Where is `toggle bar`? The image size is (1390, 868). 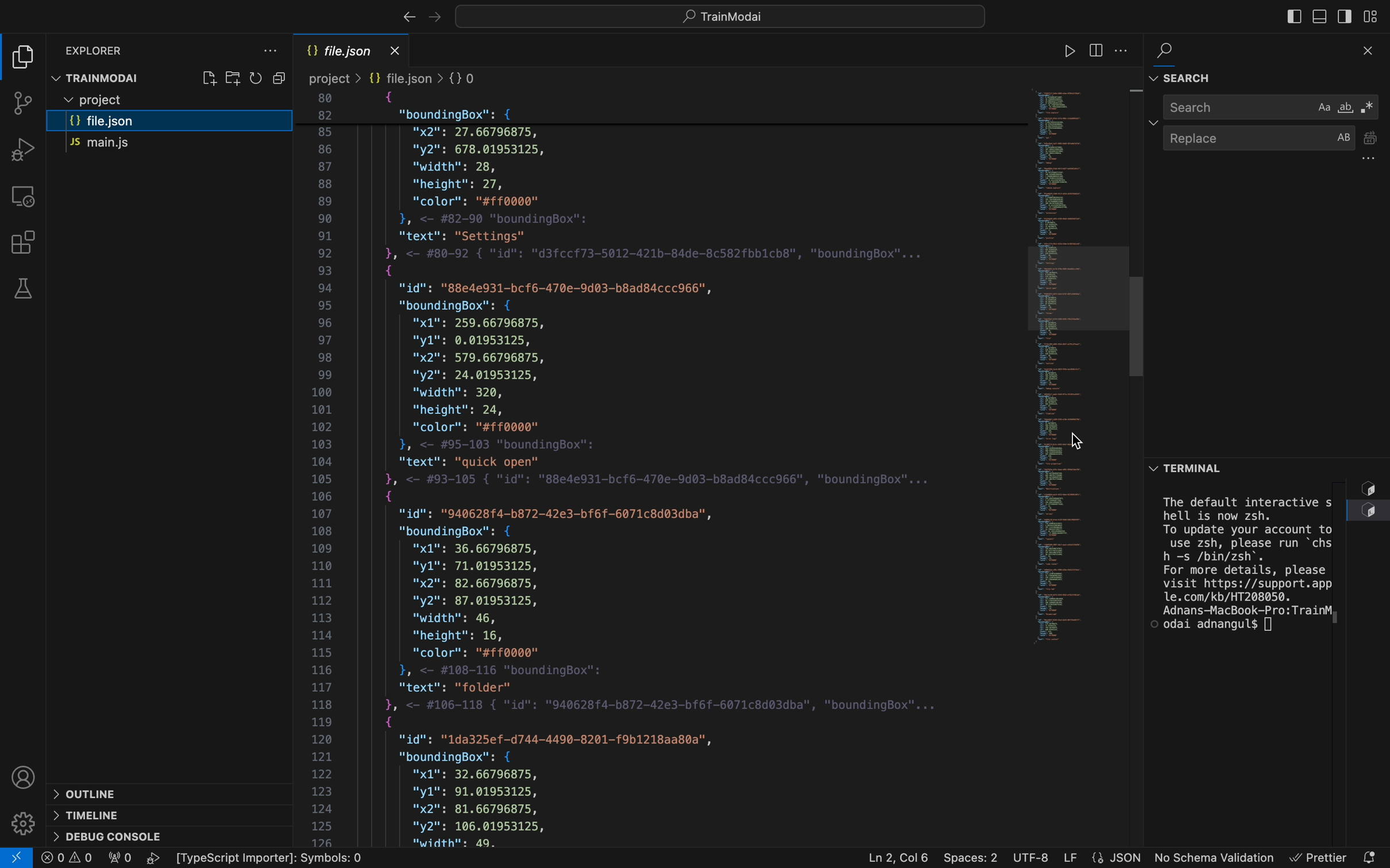
toggle bar is located at coordinates (1286, 17).